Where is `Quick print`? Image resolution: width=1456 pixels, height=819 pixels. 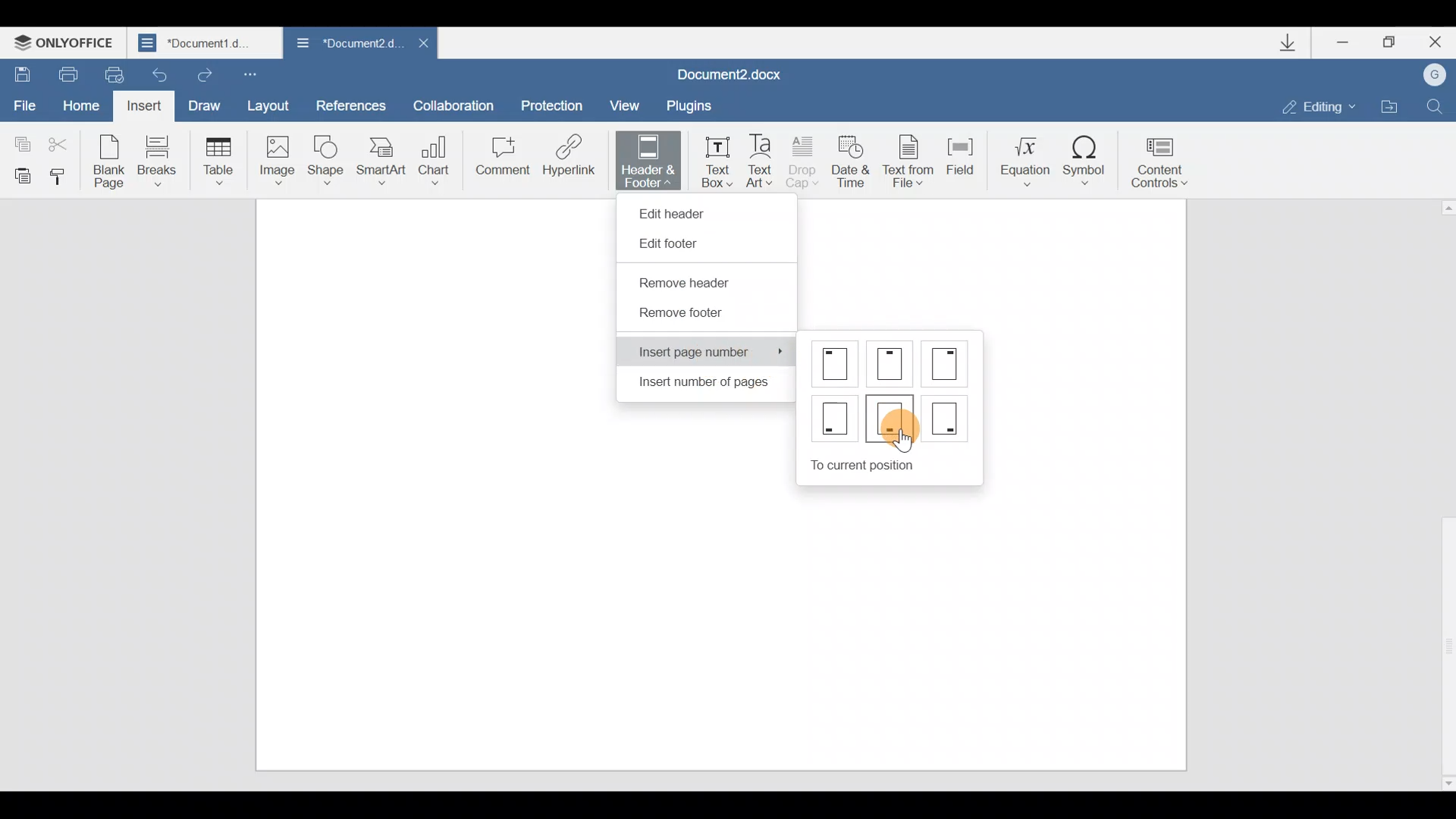 Quick print is located at coordinates (115, 74).